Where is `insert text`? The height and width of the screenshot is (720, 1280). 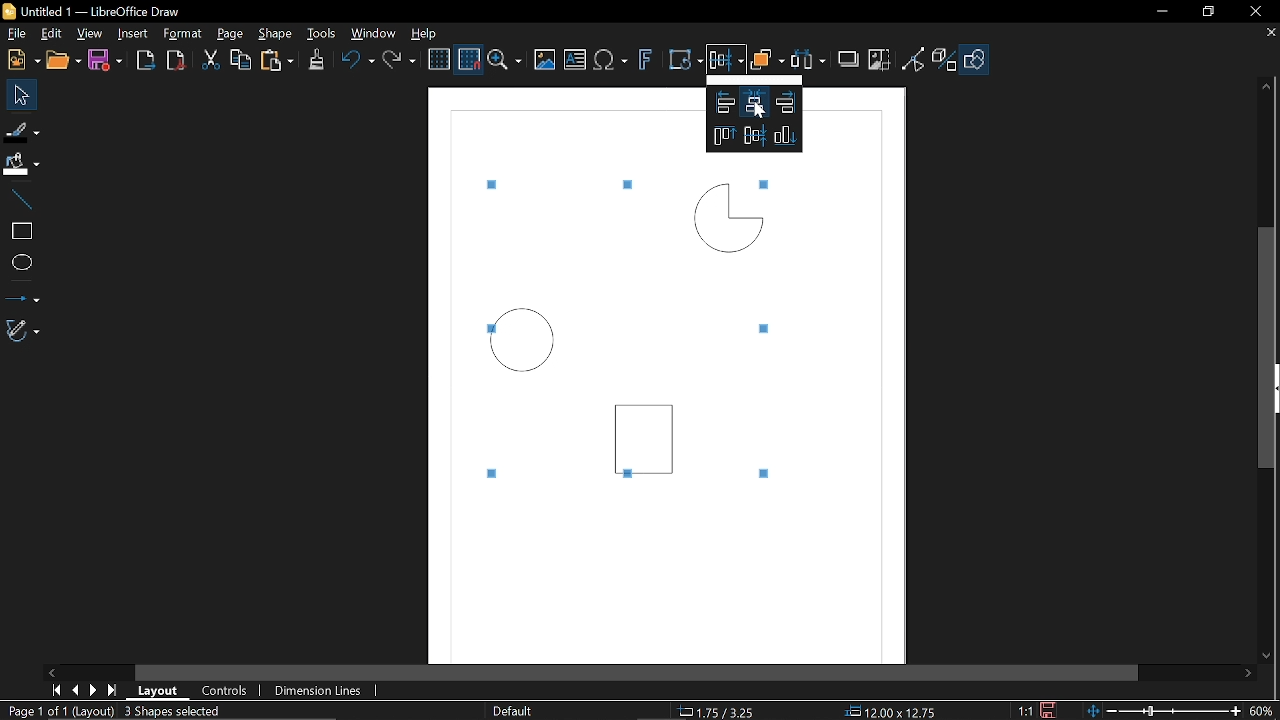
insert text is located at coordinates (575, 59).